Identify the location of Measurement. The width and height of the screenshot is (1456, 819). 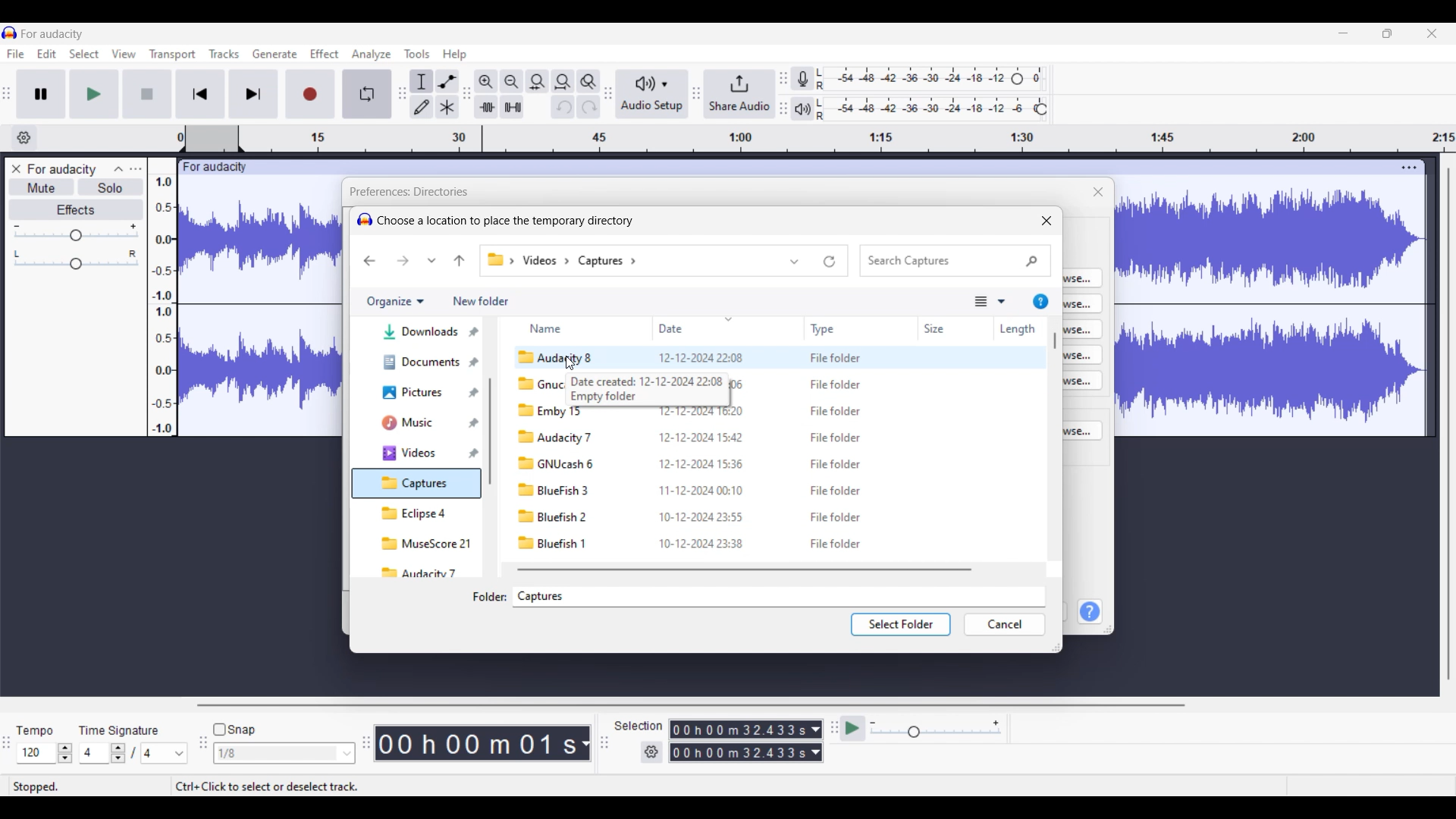
(585, 744).